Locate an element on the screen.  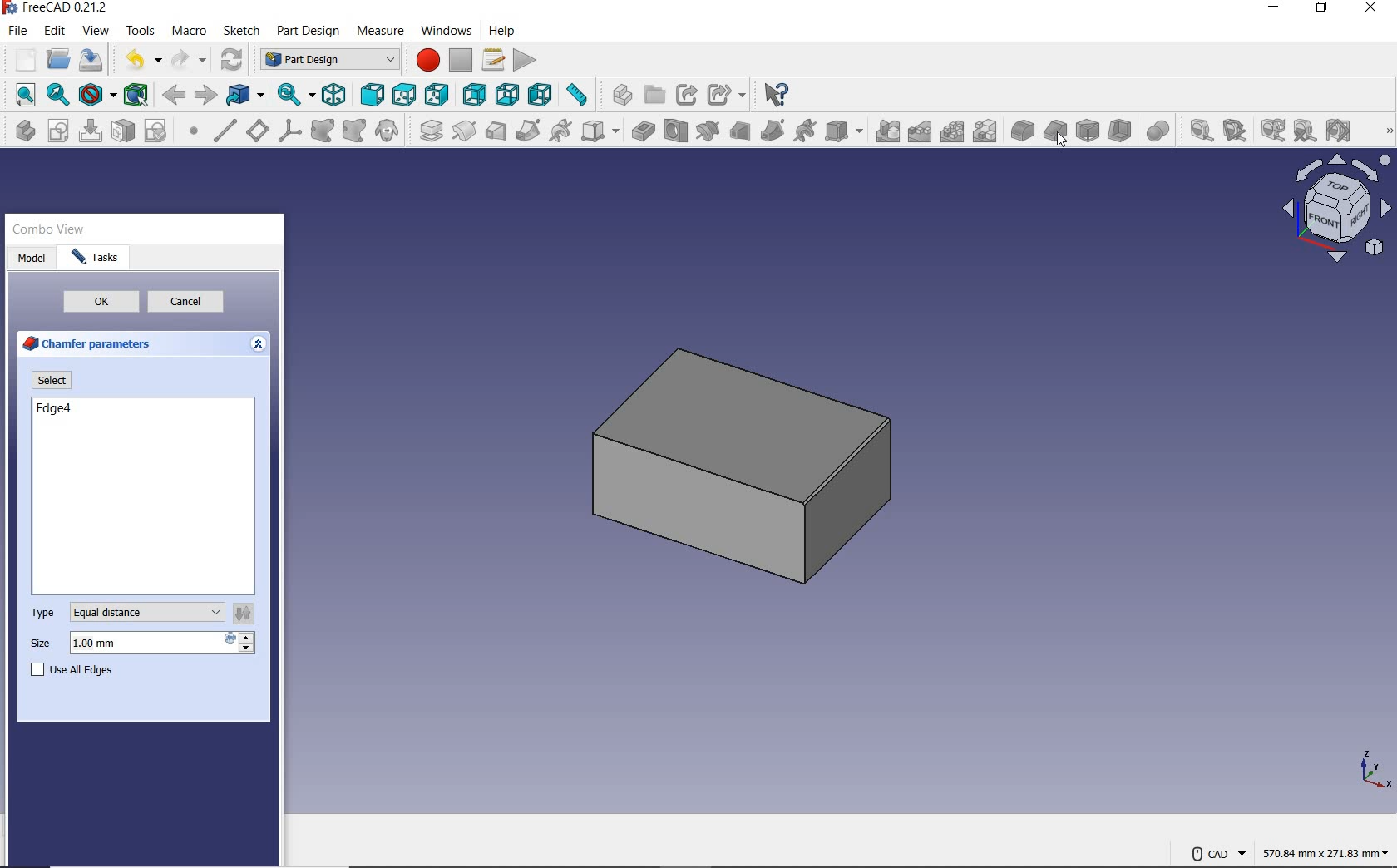
open is located at coordinates (58, 59).